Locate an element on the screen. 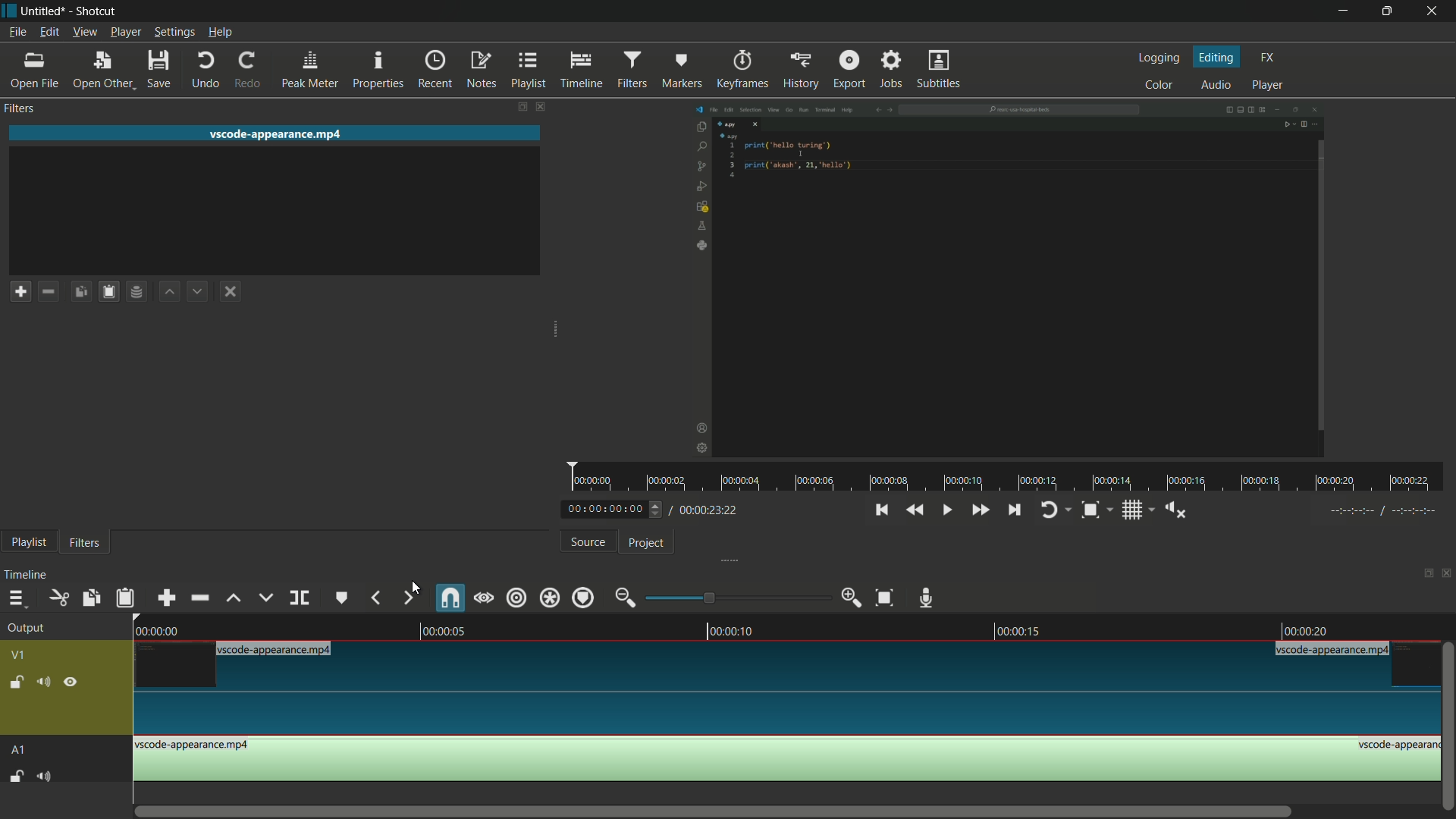  snap is located at coordinates (452, 598).